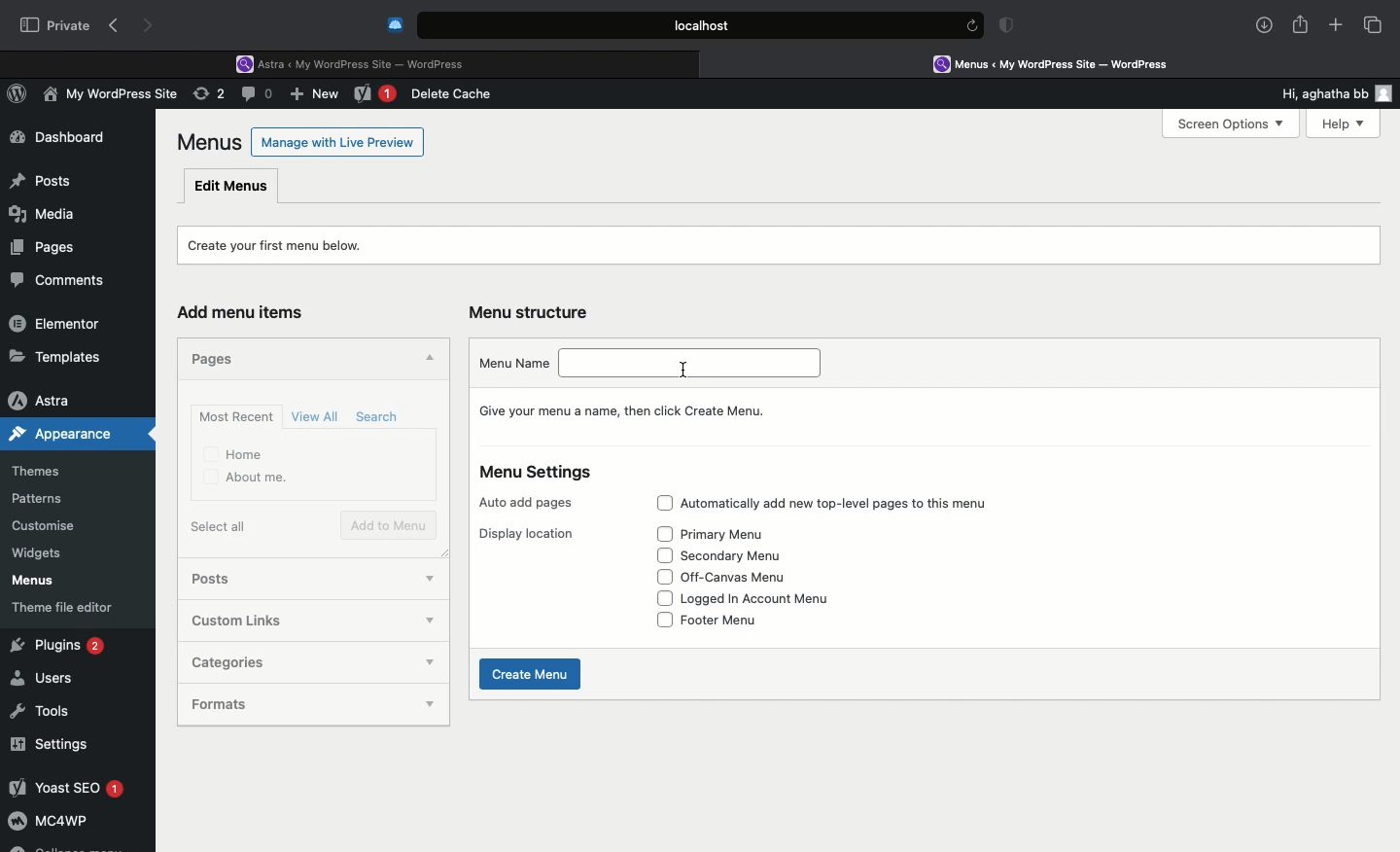  What do you see at coordinates (629, 410) in the screenshot?
I see `Give your menu a name, then click Create Menu` at bounding box center [629, 410].